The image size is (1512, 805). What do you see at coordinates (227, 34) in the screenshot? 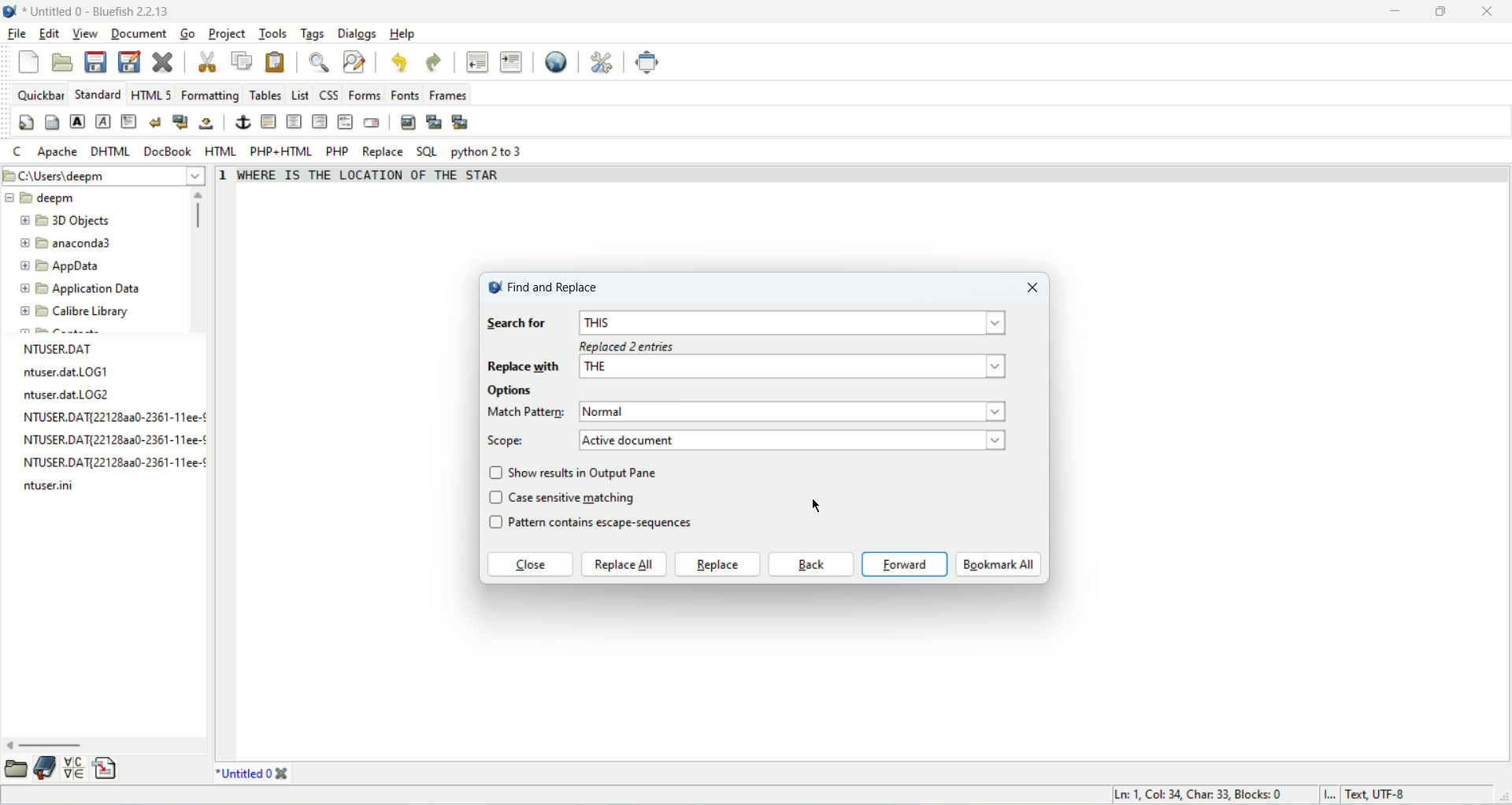
I see `project` at bounding box center [227, 34].